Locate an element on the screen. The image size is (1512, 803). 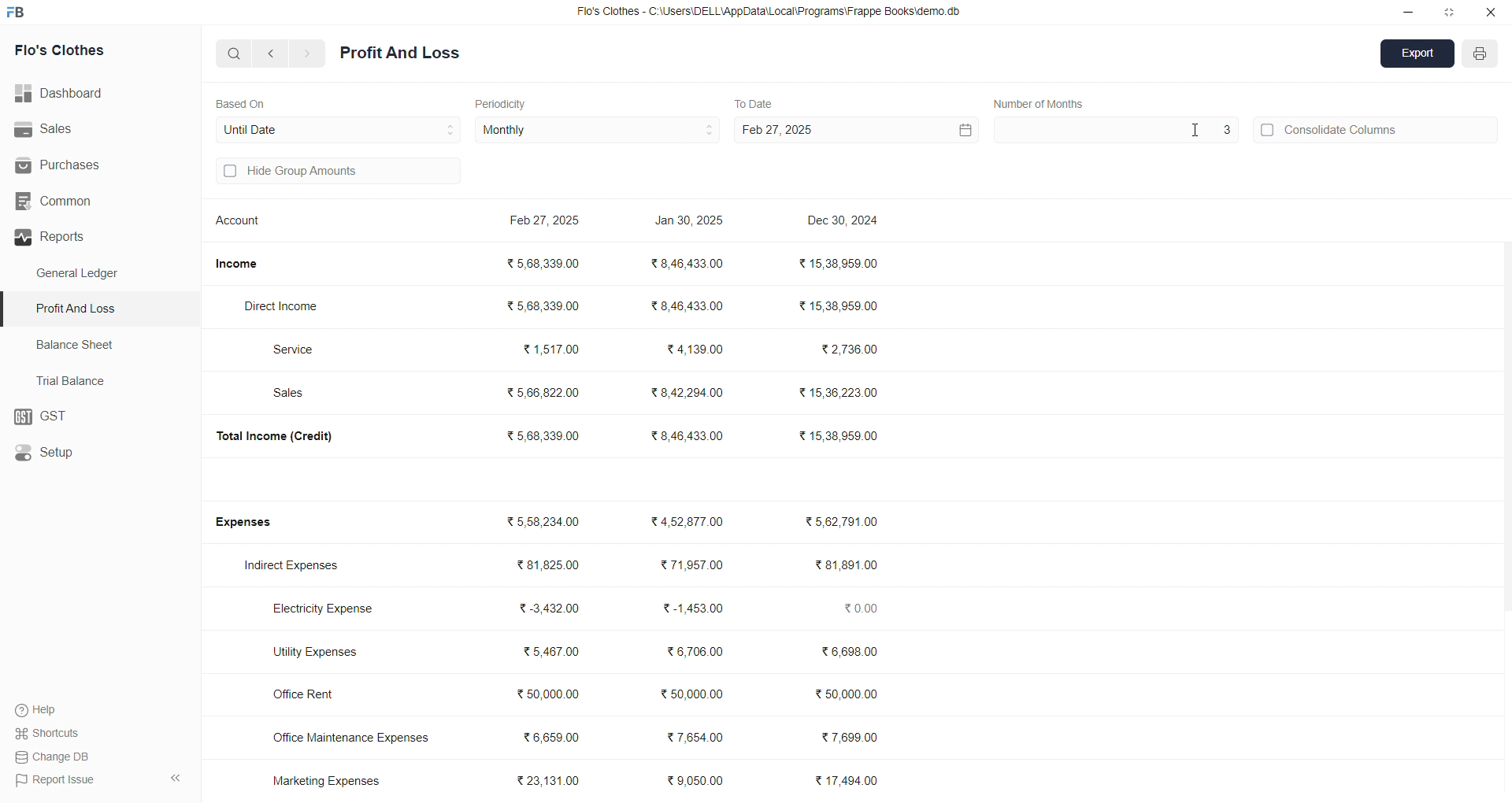
₹ 7,654.00 is located at coordinates (695, 736).